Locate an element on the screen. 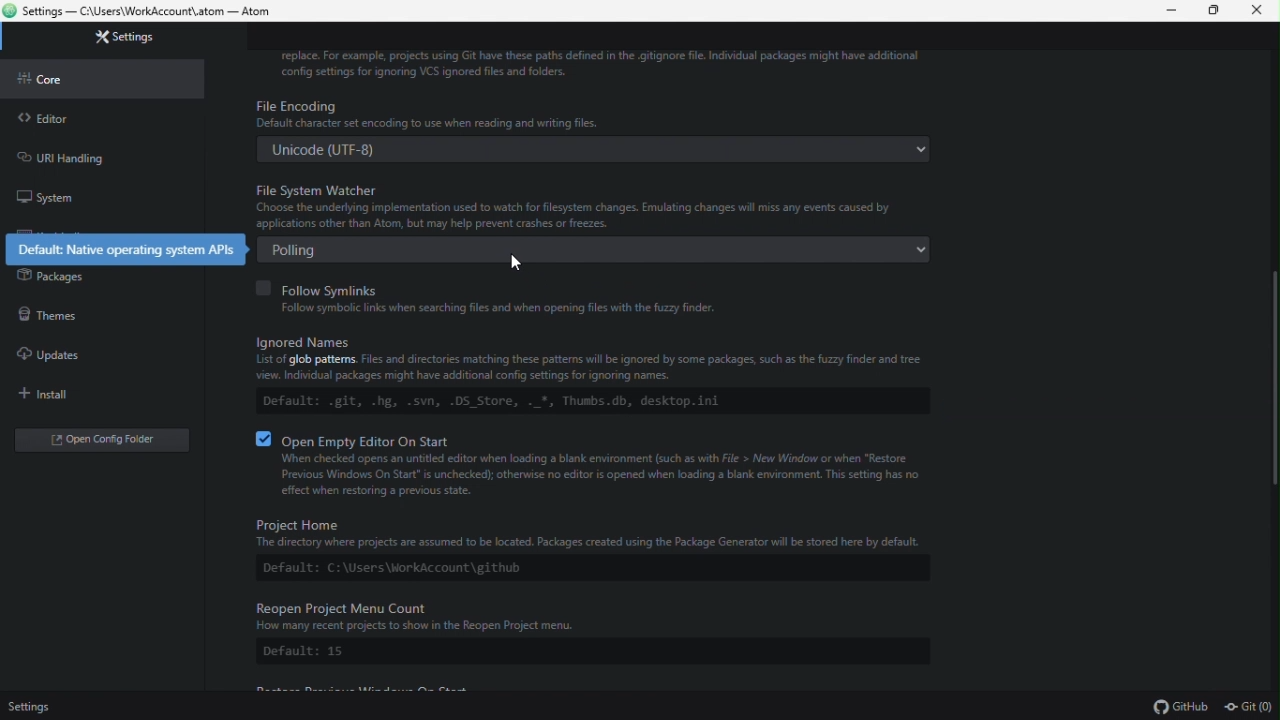  replace. For example, projects using GIT have these paths defined in the .gitignore file. Individual packages might have additional config settings for ignoring VCS ignored files and folders is located at coordinates (610, 60).